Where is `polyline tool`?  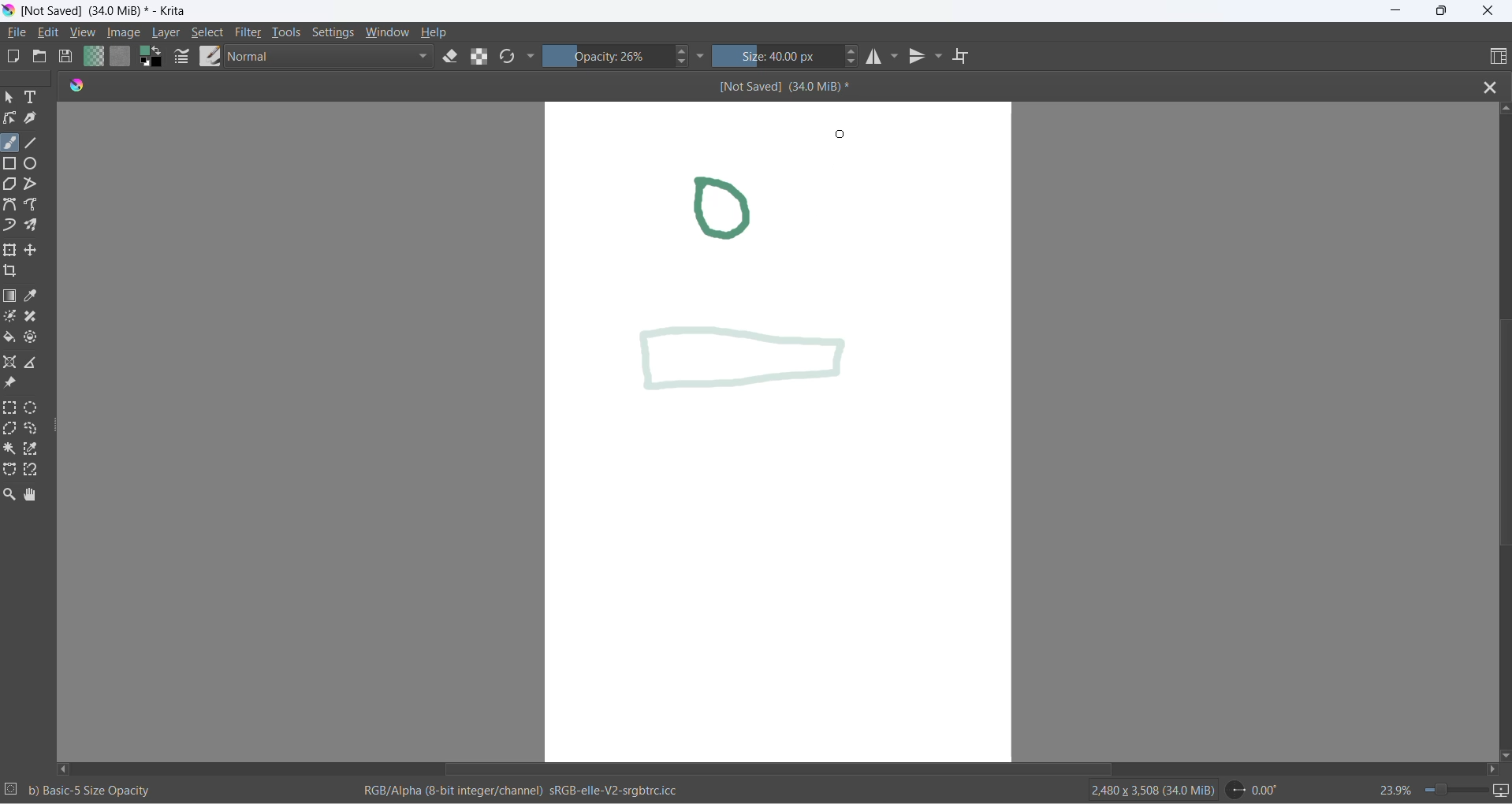 polyline tool is located at coordinates (35, 184).